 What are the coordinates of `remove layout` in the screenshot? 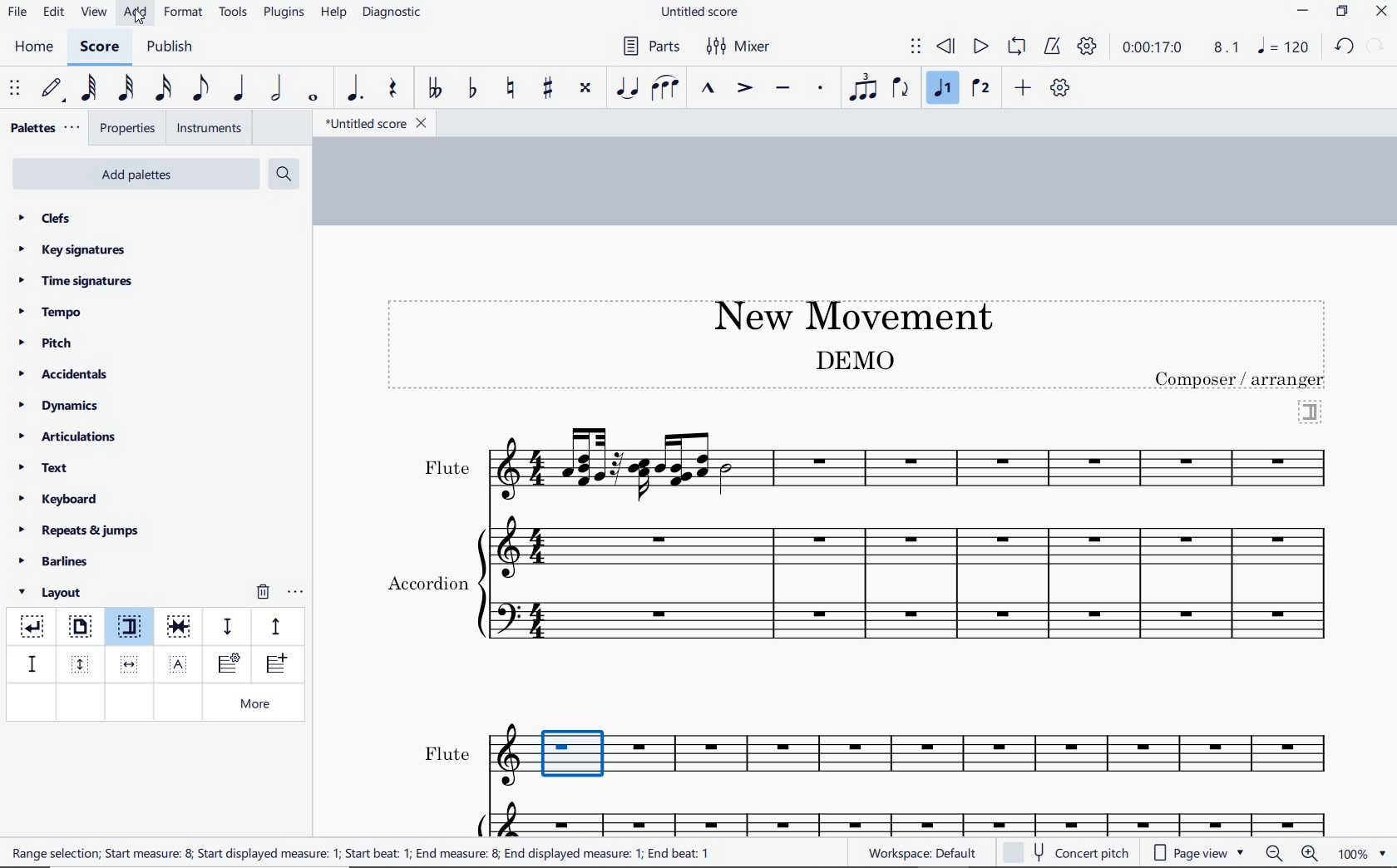 It's located at (263, 594).